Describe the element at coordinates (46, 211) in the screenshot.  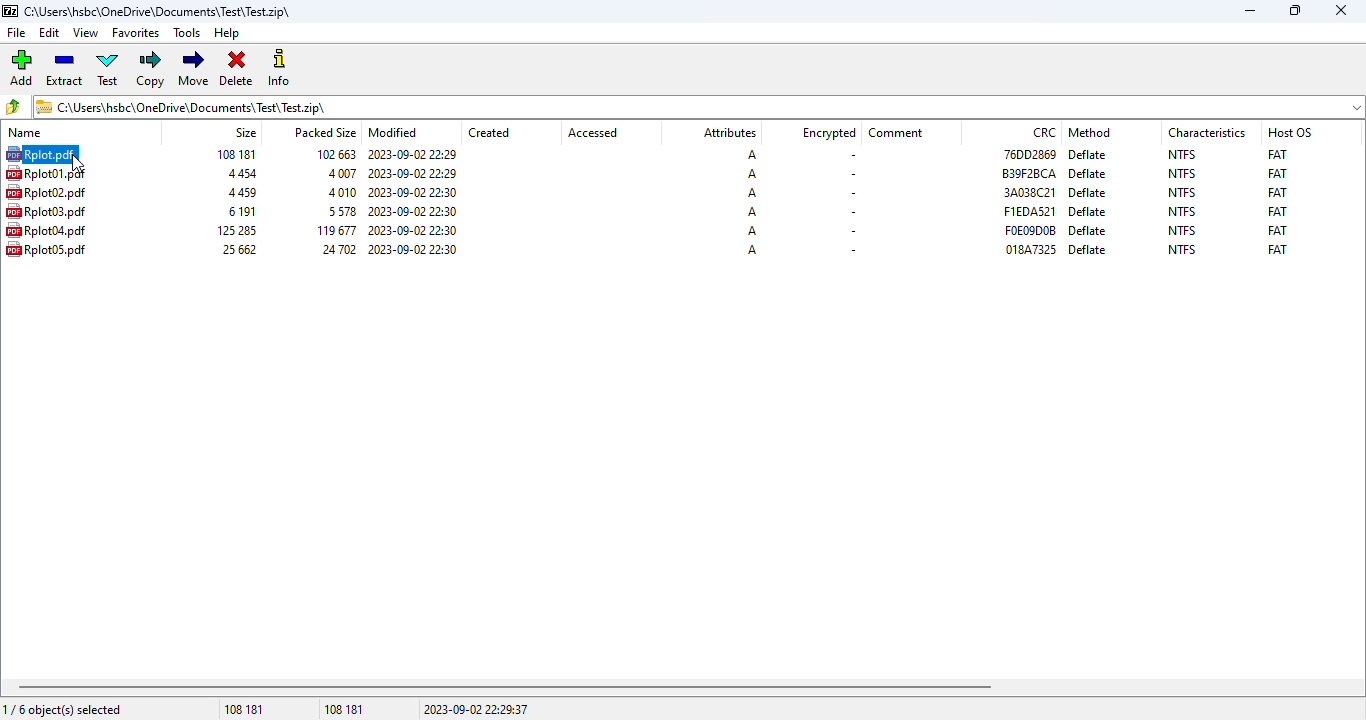
I see `file` at that location.